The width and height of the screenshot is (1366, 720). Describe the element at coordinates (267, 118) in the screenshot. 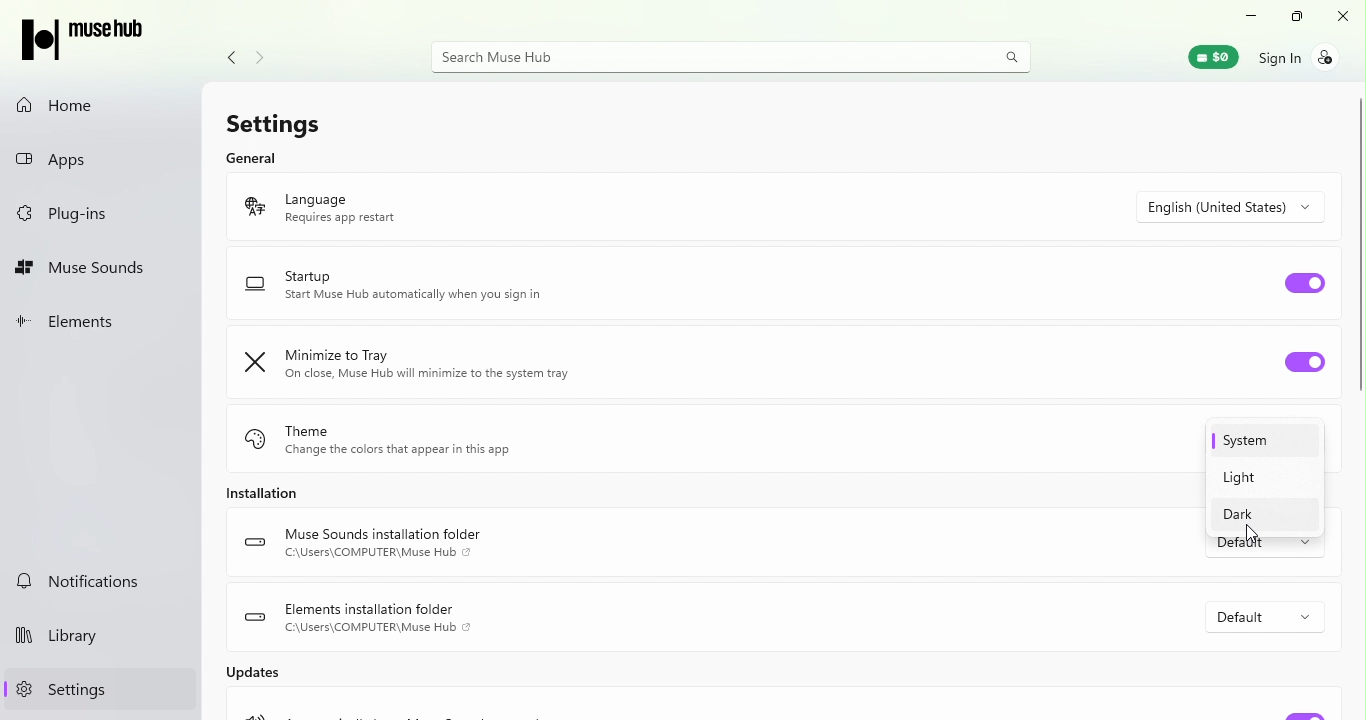

I see `Settings ` at that location.